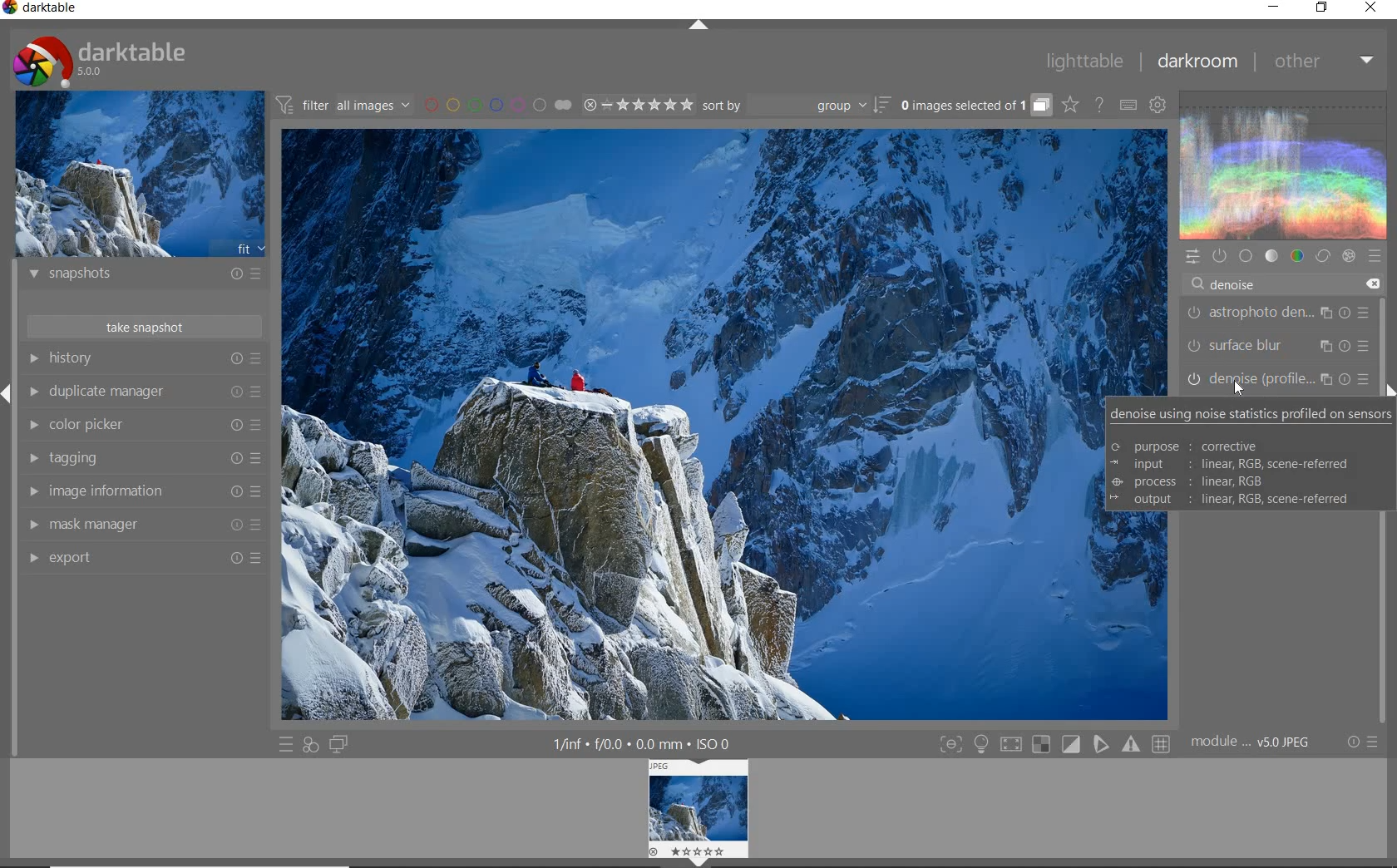 This screenshot has width=1397, height=868. Describe the element at coordinates (1191, 257) in the screenshot. I see `quick access panel` at that location.